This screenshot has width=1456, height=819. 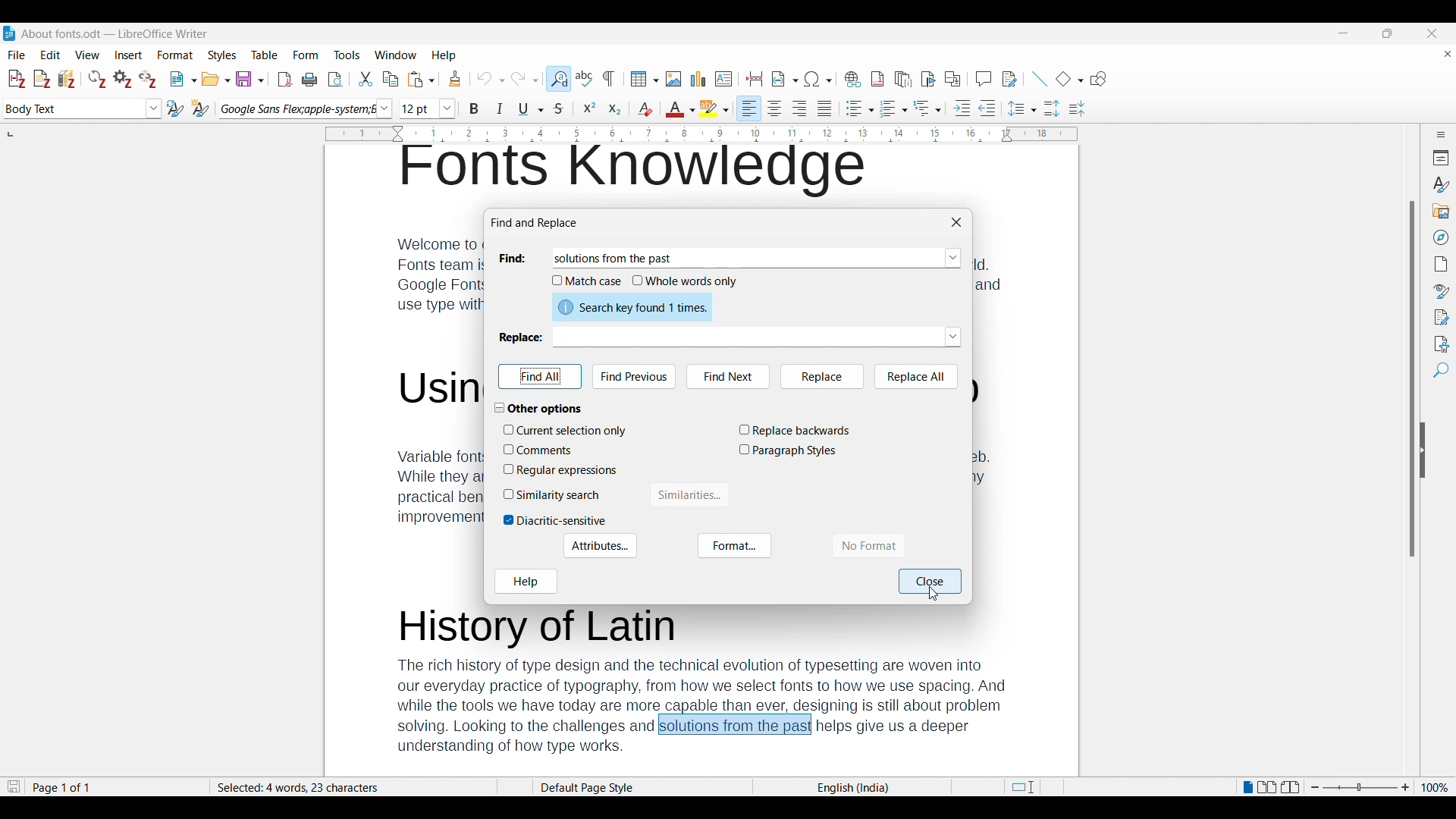 What do you see at coordinates (638, 171) in the screenshot?
I see `text` at bounding box center [638, 171].